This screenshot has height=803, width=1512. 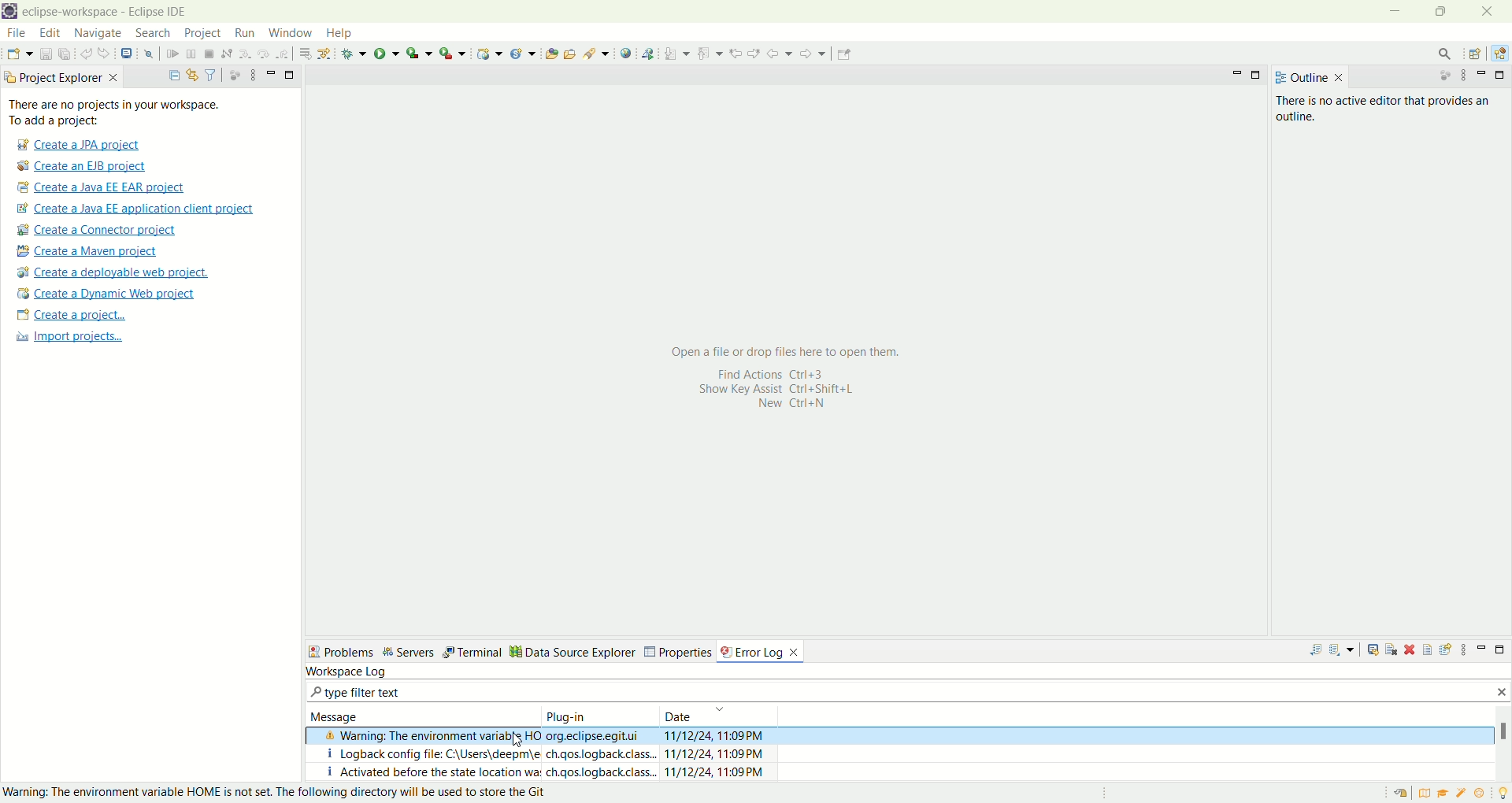 What do you see at coordinates (79, 342) in the screenshot?
I see `import projects` at bounding box center [79, 342].